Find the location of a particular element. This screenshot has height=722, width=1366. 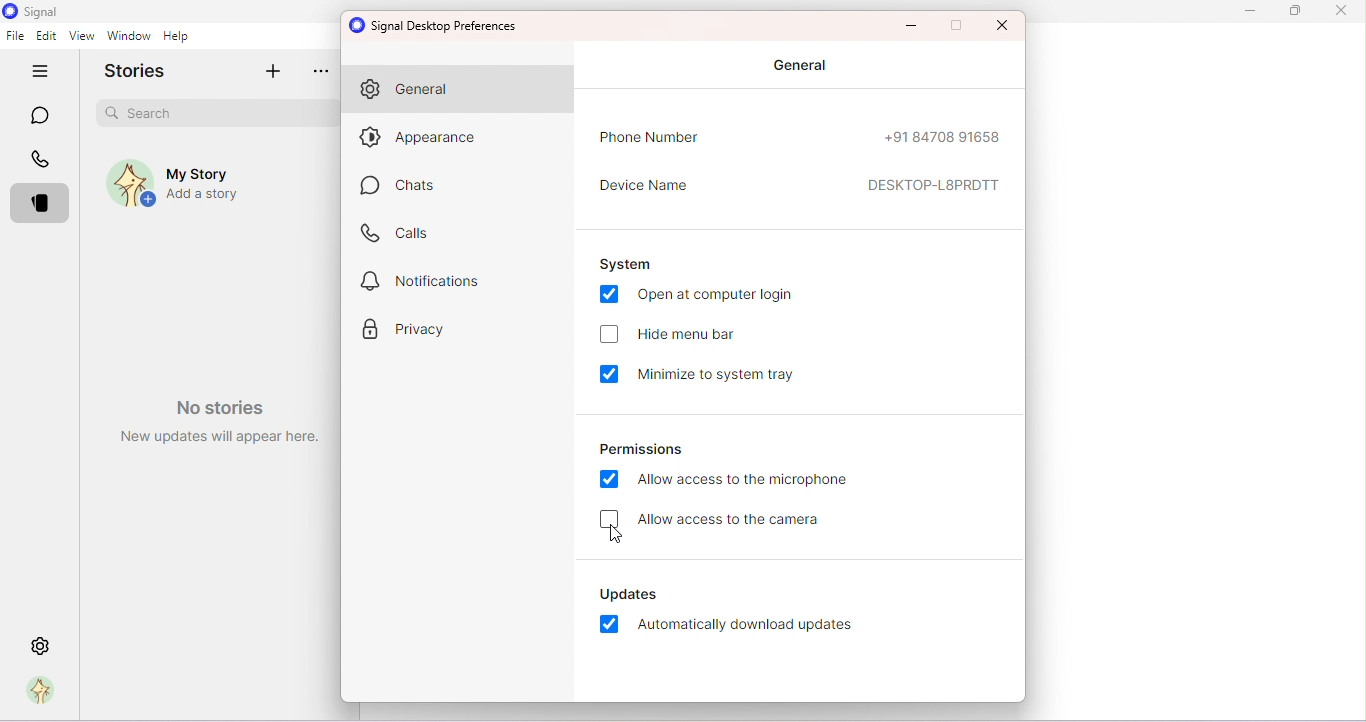

General is located at coordinates (405, 87).